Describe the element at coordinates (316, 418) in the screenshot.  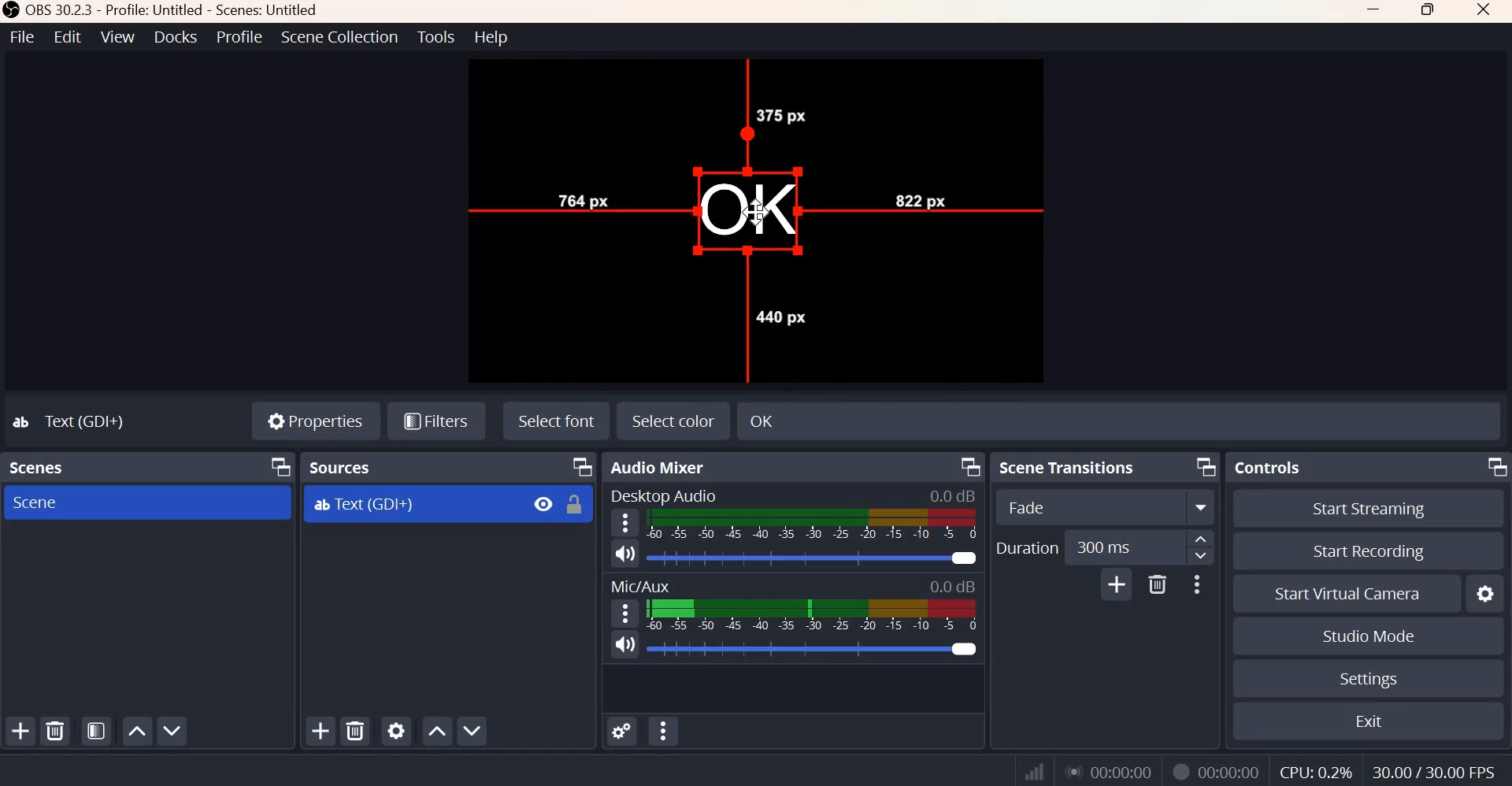
I see `Properties` at that location.